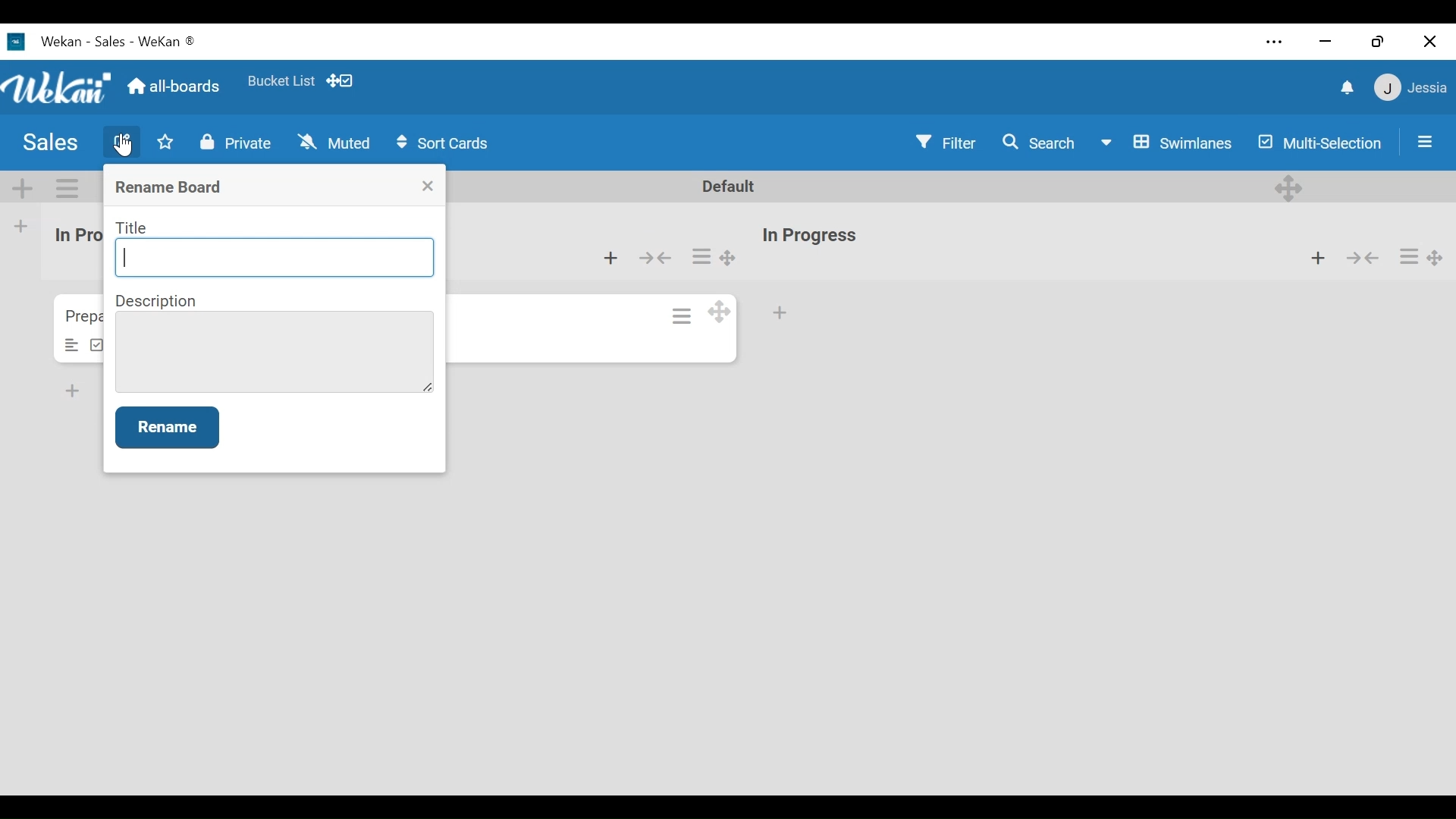  What do you see at coordinates (808, 237) in the screenshot?
I see `List name` at bounding box center [808, 237].